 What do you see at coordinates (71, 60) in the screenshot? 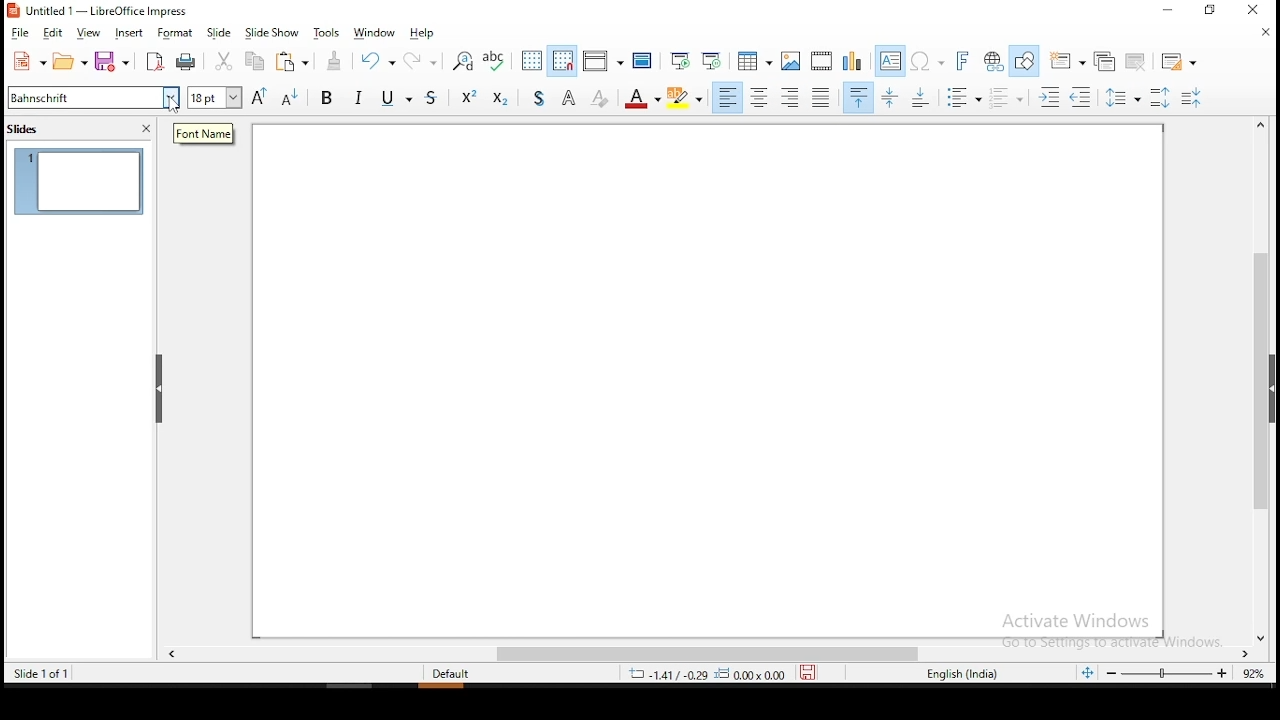
I see `open` at bounding box center [71, 60].